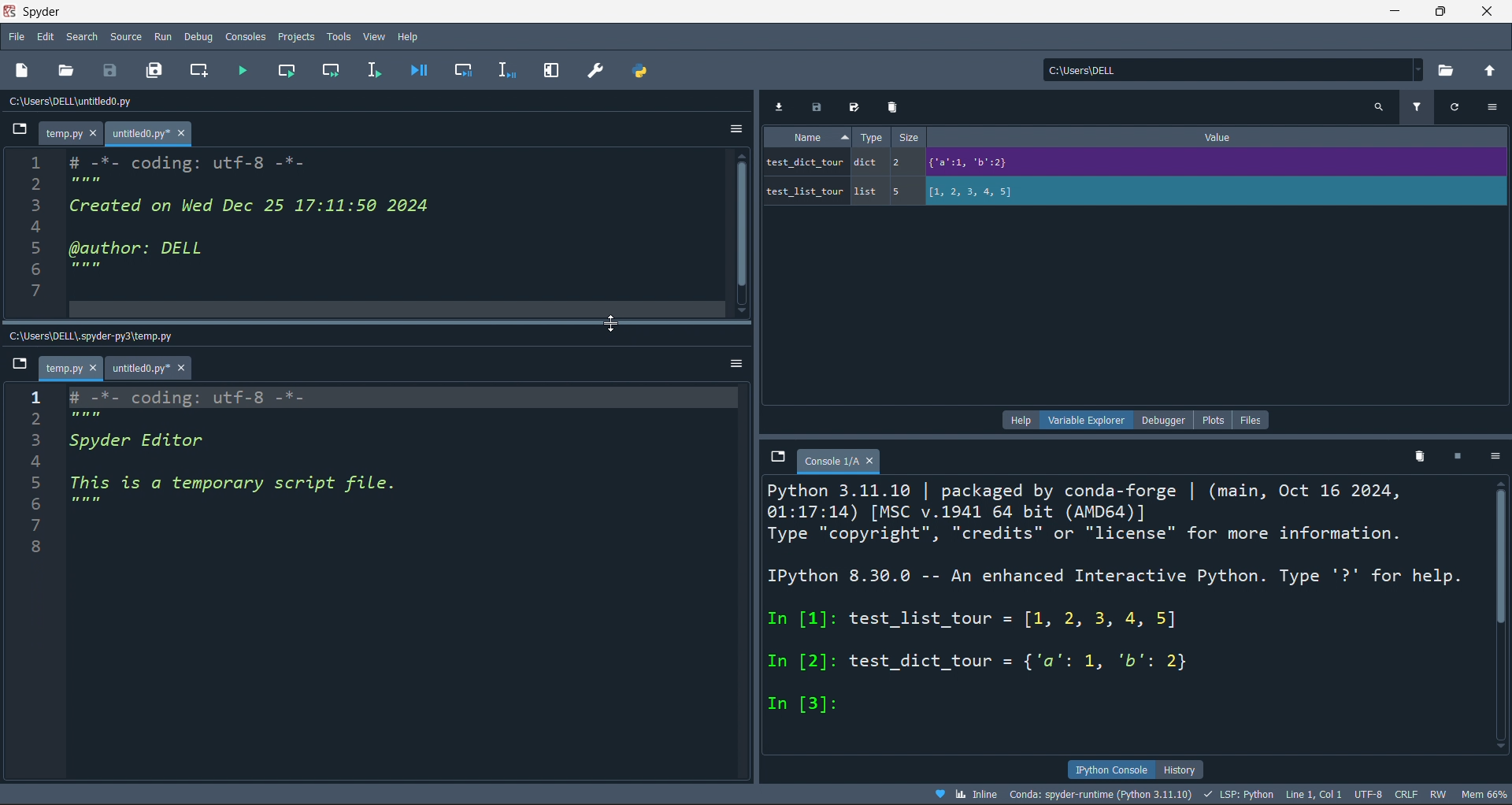 The height and width of the screenshot is (805, 1512). I want to click on consolesn, so click(246, 36).